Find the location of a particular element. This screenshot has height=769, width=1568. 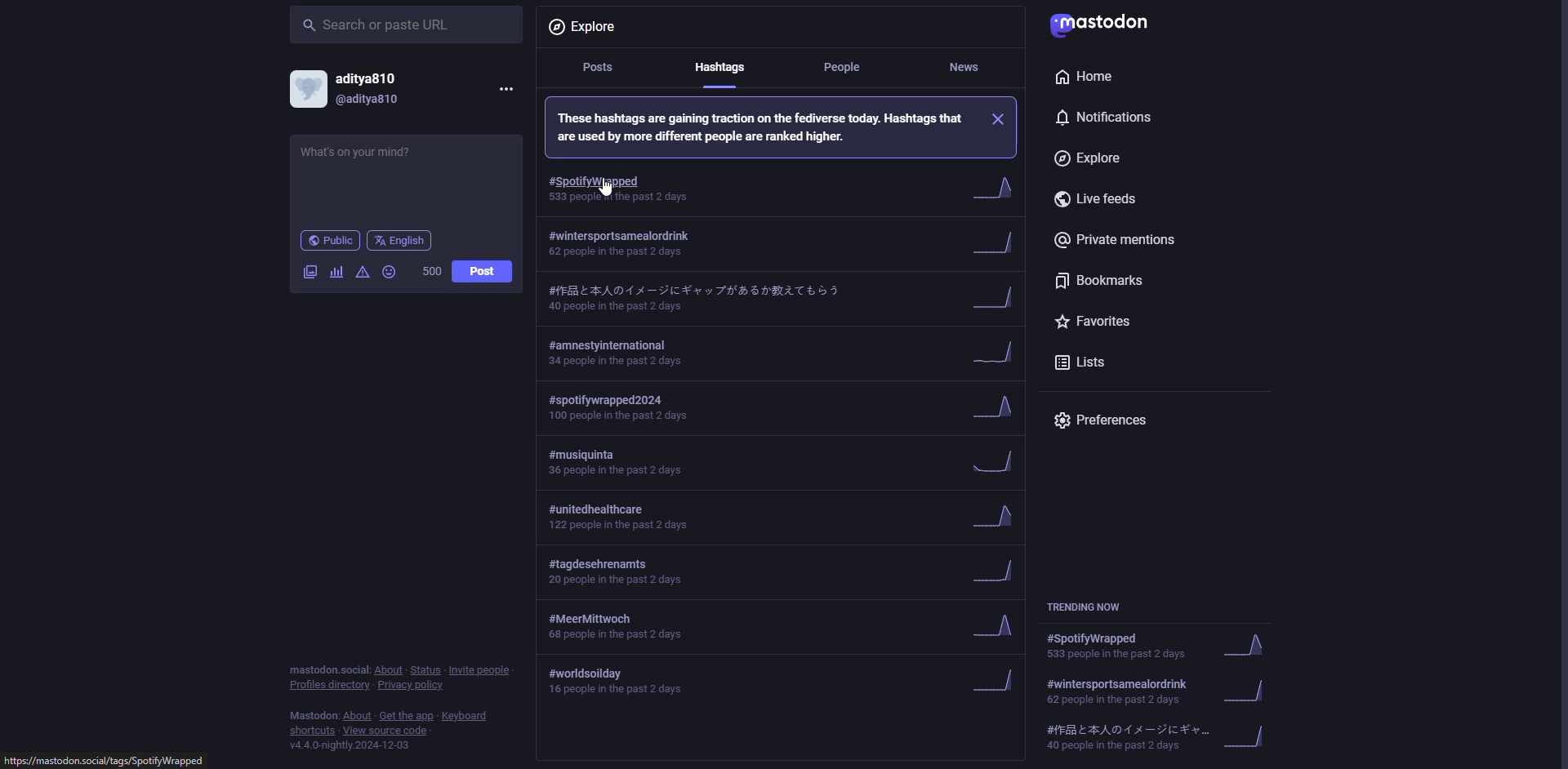

close is located at coordinates (1000, 119).